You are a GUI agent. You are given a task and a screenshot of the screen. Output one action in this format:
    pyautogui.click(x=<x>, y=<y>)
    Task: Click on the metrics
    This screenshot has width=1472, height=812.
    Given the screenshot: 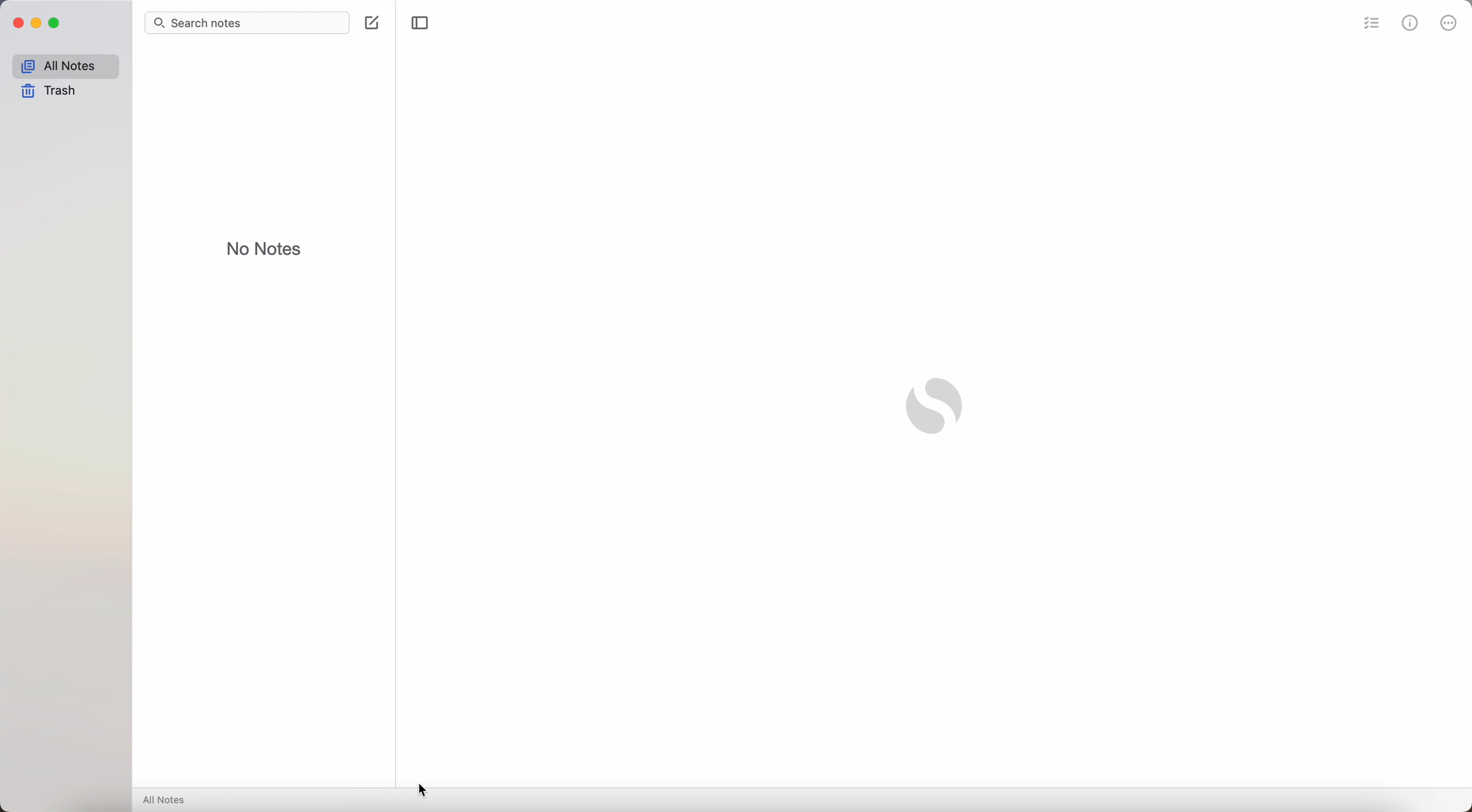 What is the action you would take?
    pyautogui.click(x=1410, y=22)
    